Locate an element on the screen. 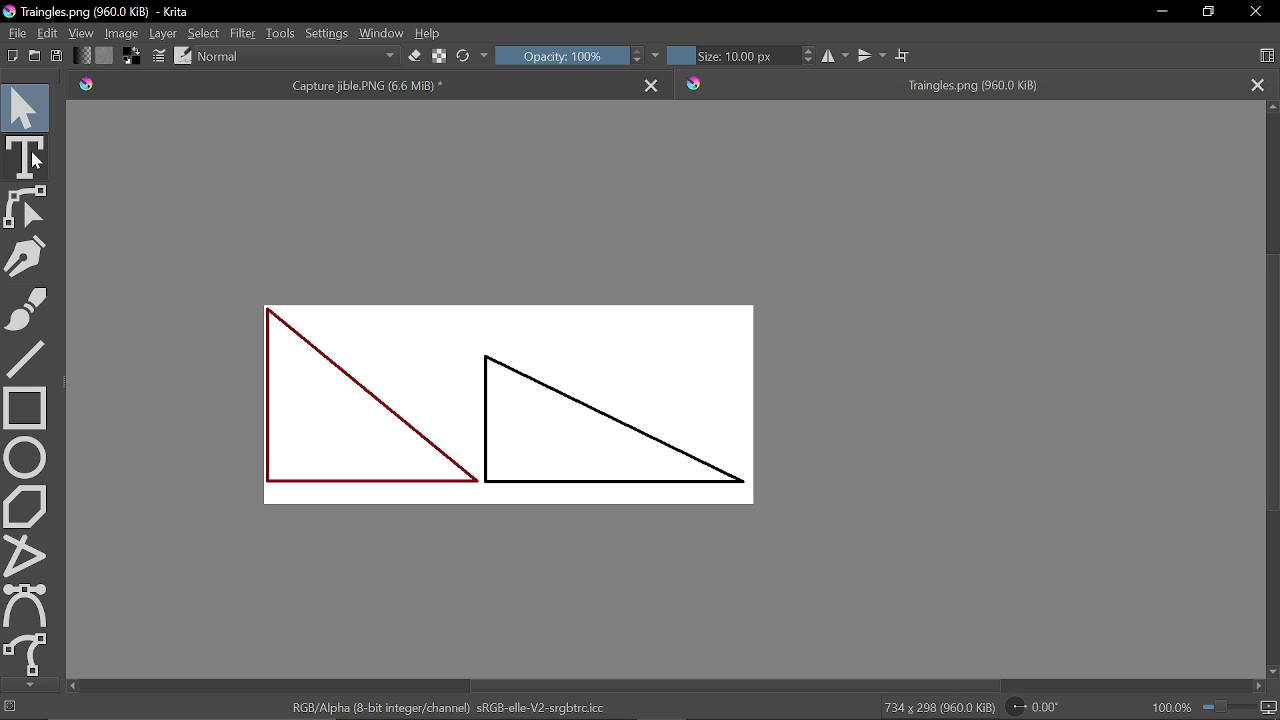 The width and height of the screenshot is (1280, 720). Ellipse tool is located at coordinates (25, 457).